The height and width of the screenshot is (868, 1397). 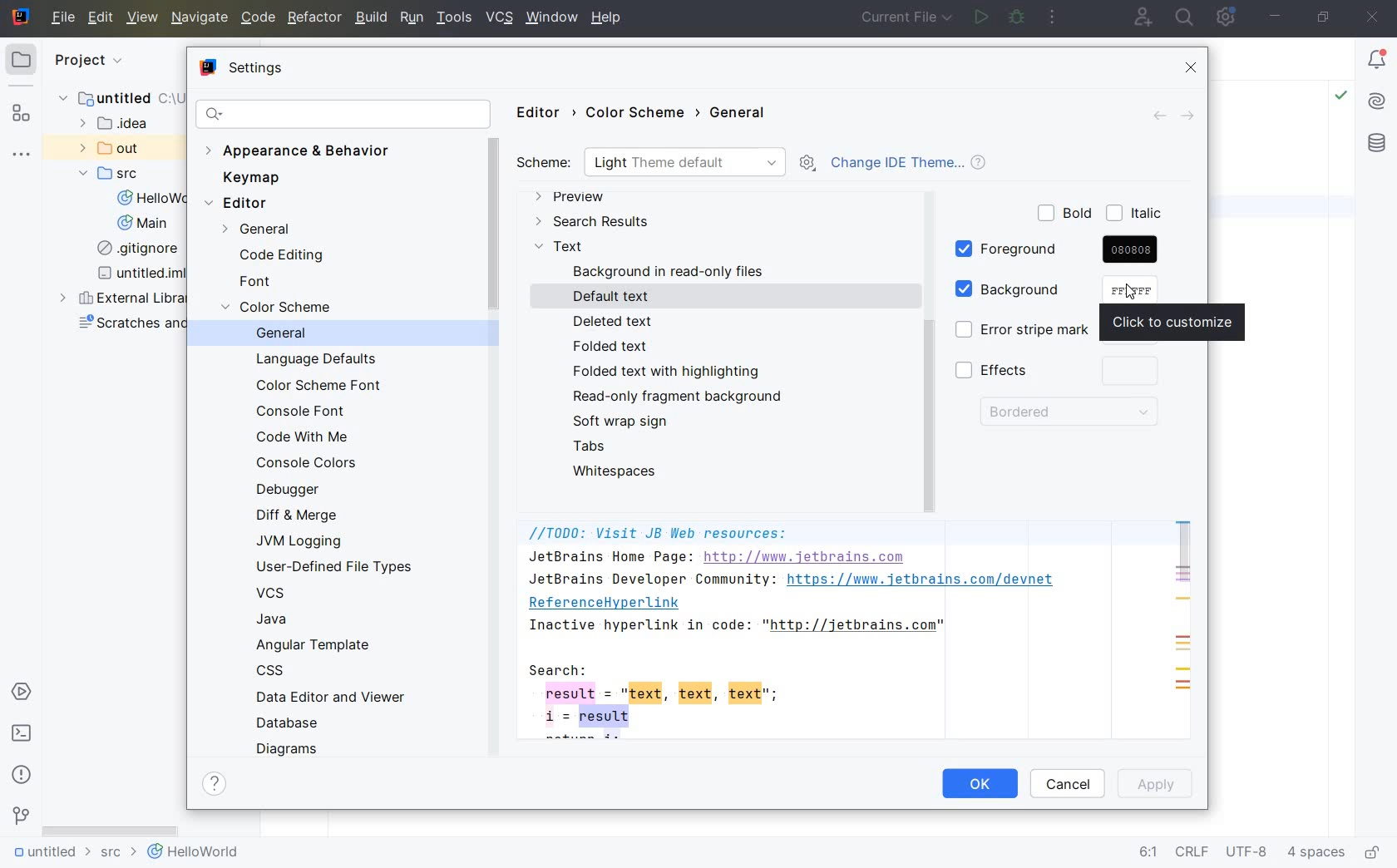 I want to click on RUN, so click(x=412, y=18).